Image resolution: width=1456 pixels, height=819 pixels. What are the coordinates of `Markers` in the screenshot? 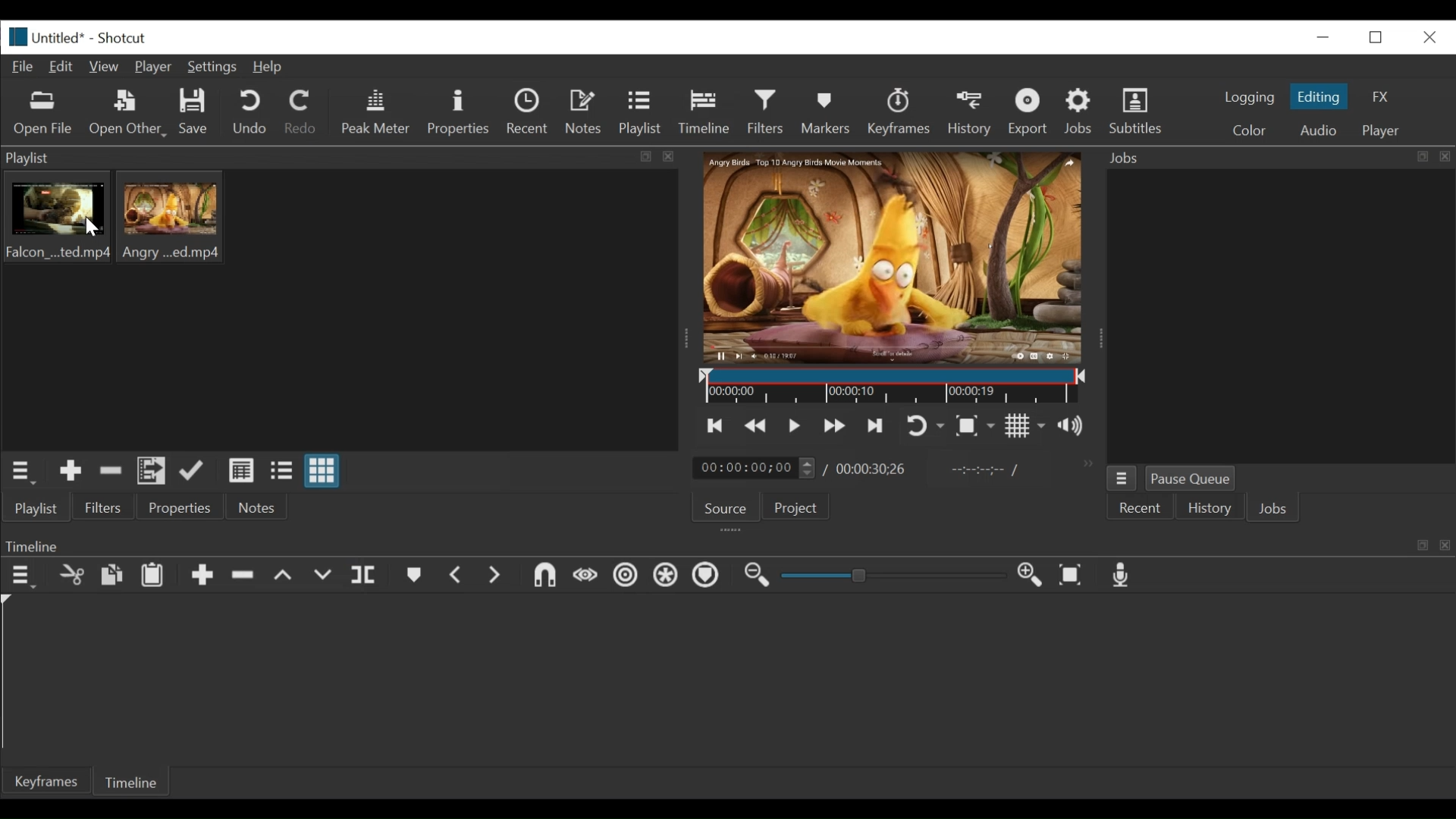 It's located at (829, 111).